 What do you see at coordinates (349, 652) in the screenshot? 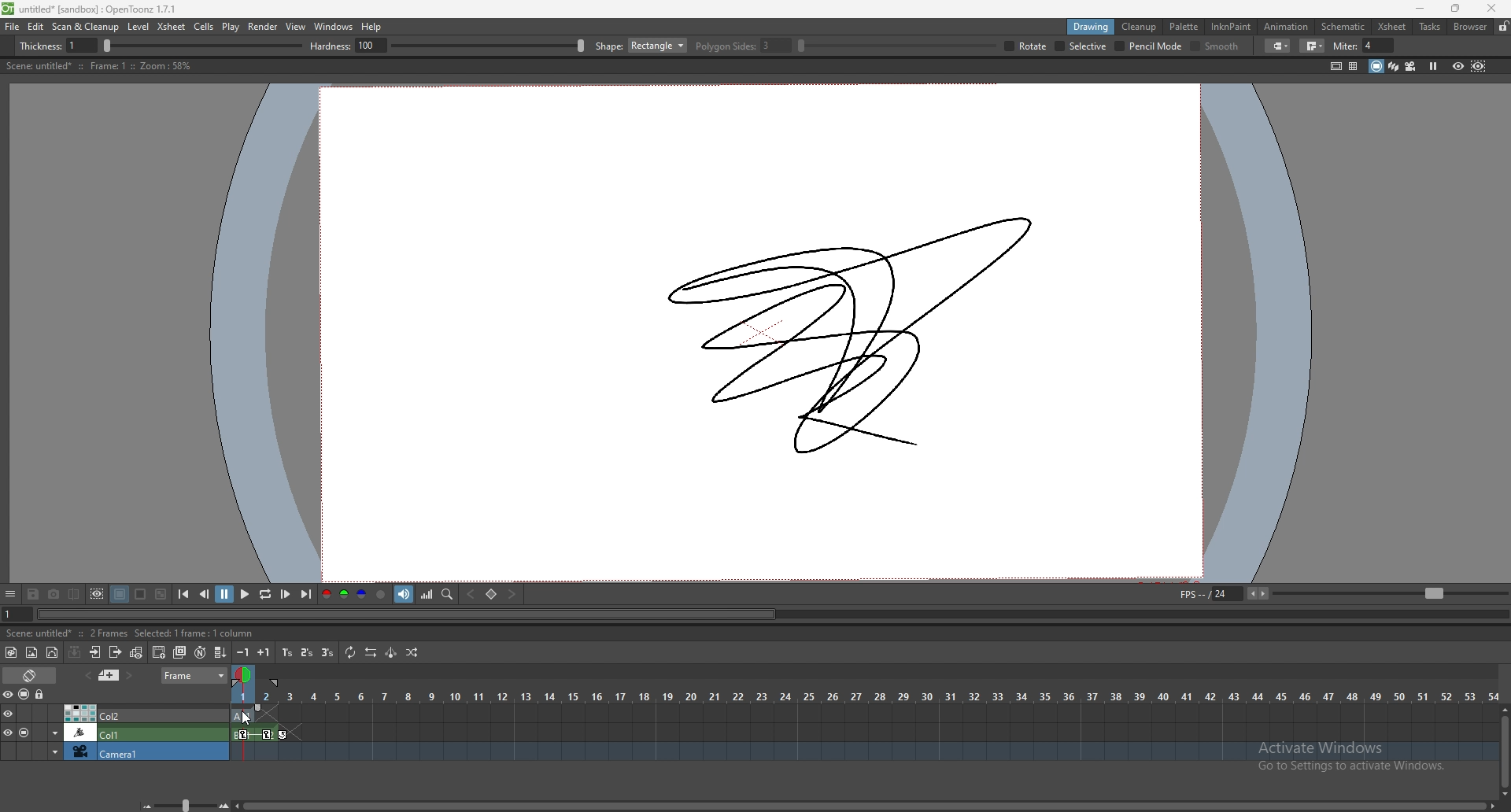
I see `repeat` at bounding box center [349, 652].